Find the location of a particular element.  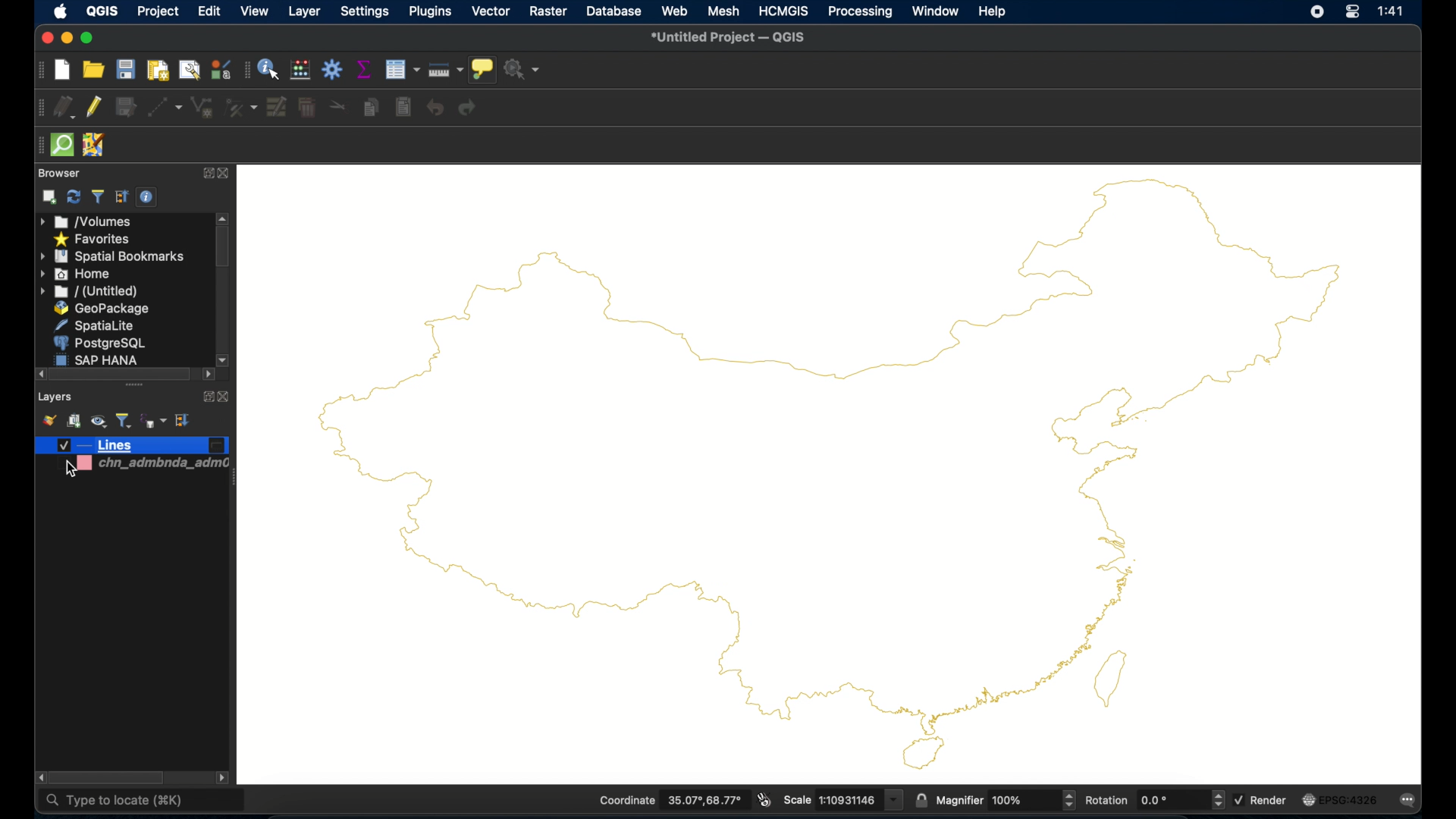

delete selected is located at coordinates (306, 108).